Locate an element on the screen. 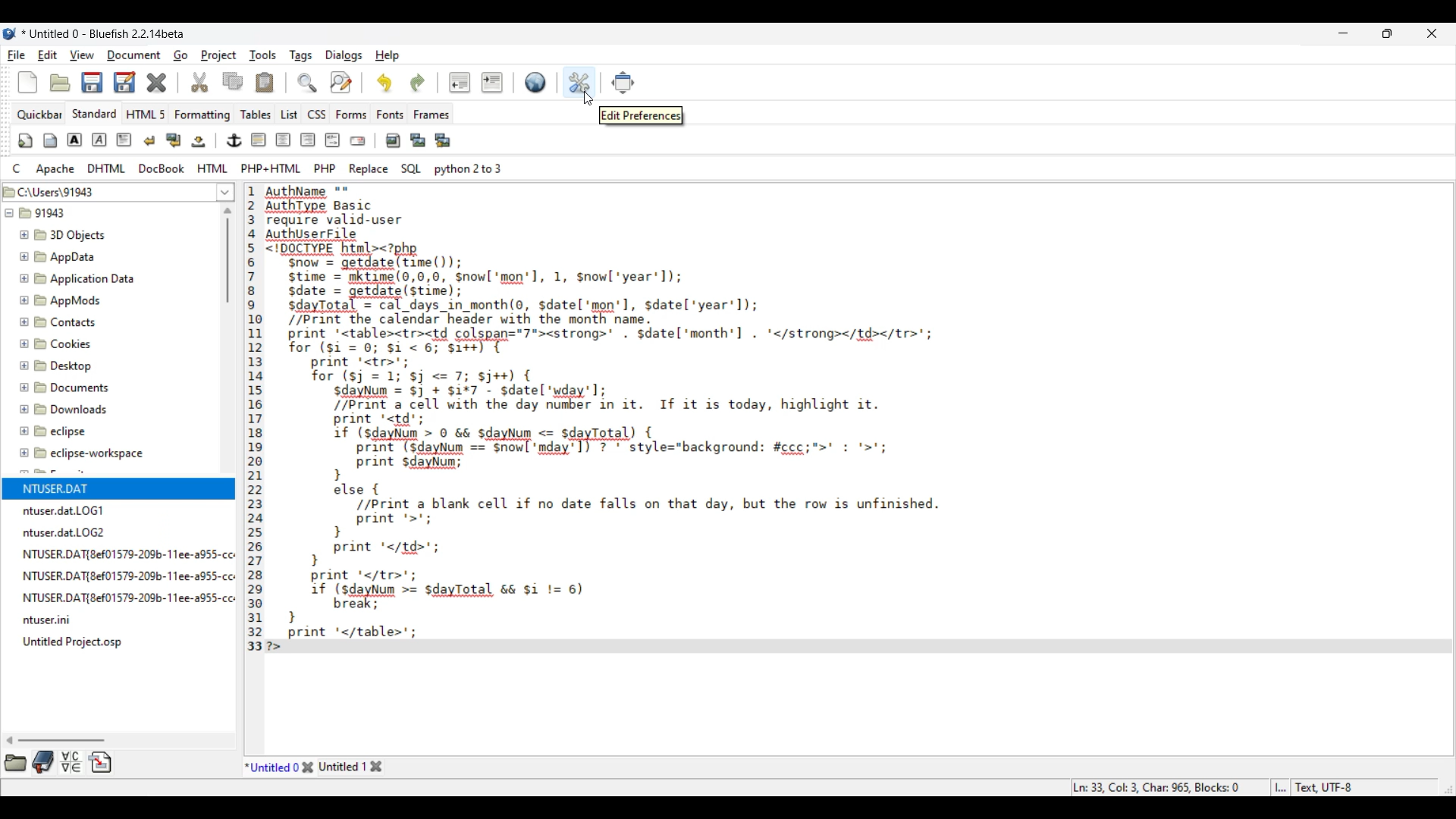  2 C:\Users\91943 is located at coordinates (53, 190).